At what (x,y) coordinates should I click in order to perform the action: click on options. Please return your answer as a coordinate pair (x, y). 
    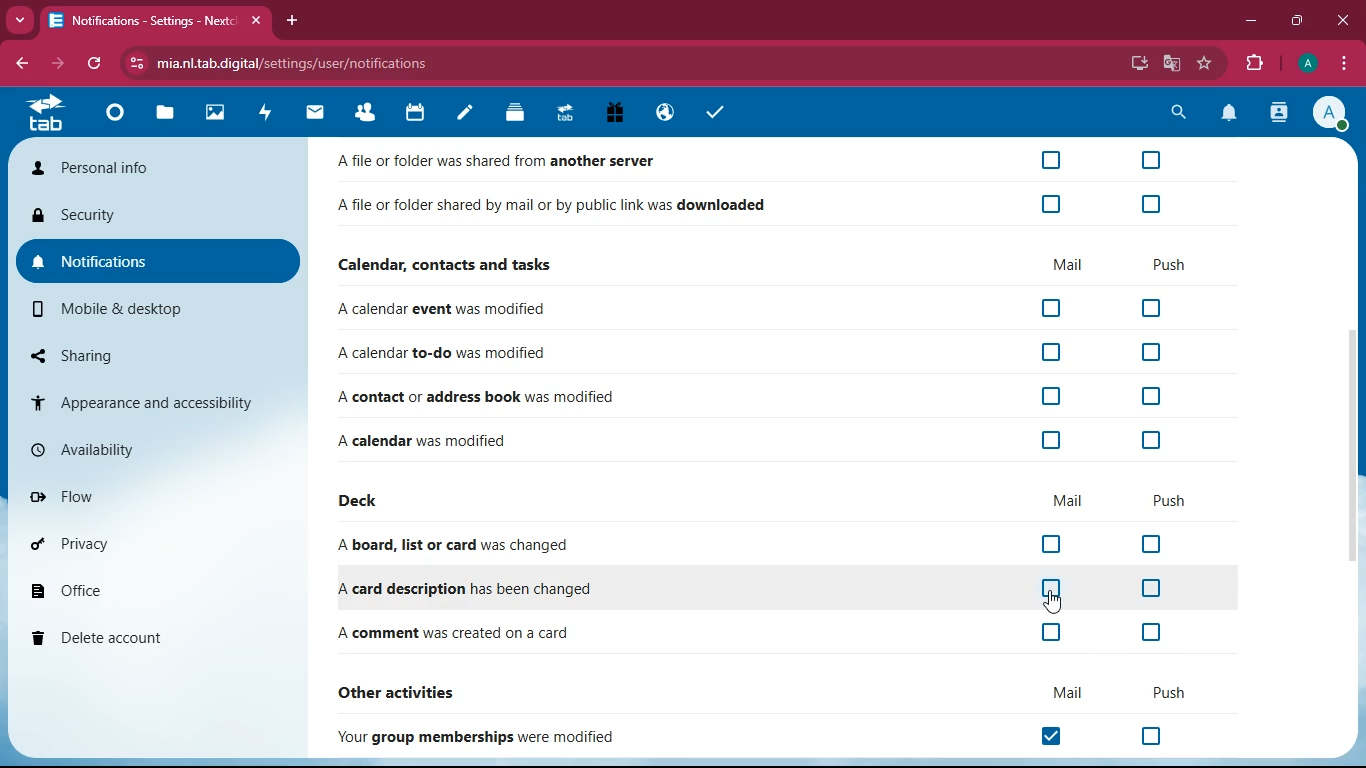
    Looking at the image, I should click on (1344, 63).